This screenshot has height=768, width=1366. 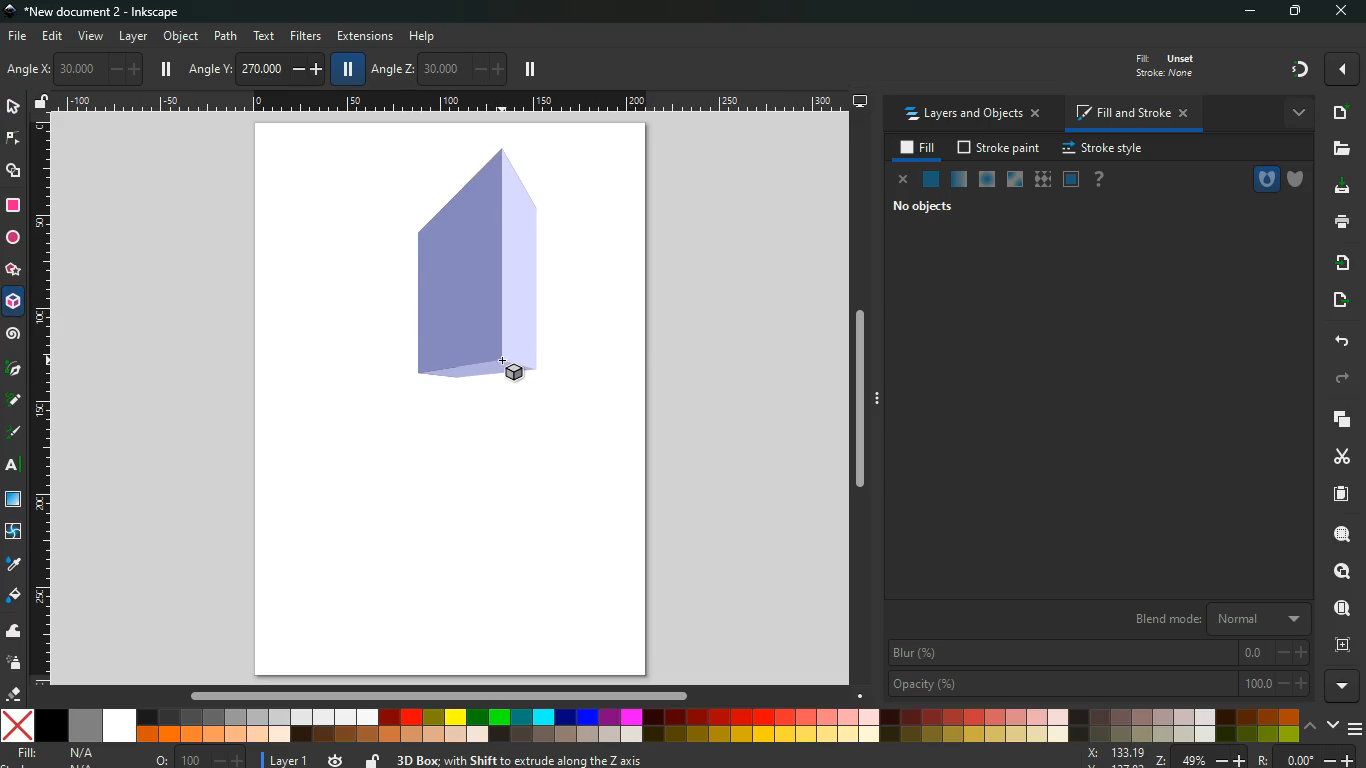 What do you see at coordinates (290, 757) in the screenshot?
I see `layer 1` at bounding box center [290, 757].